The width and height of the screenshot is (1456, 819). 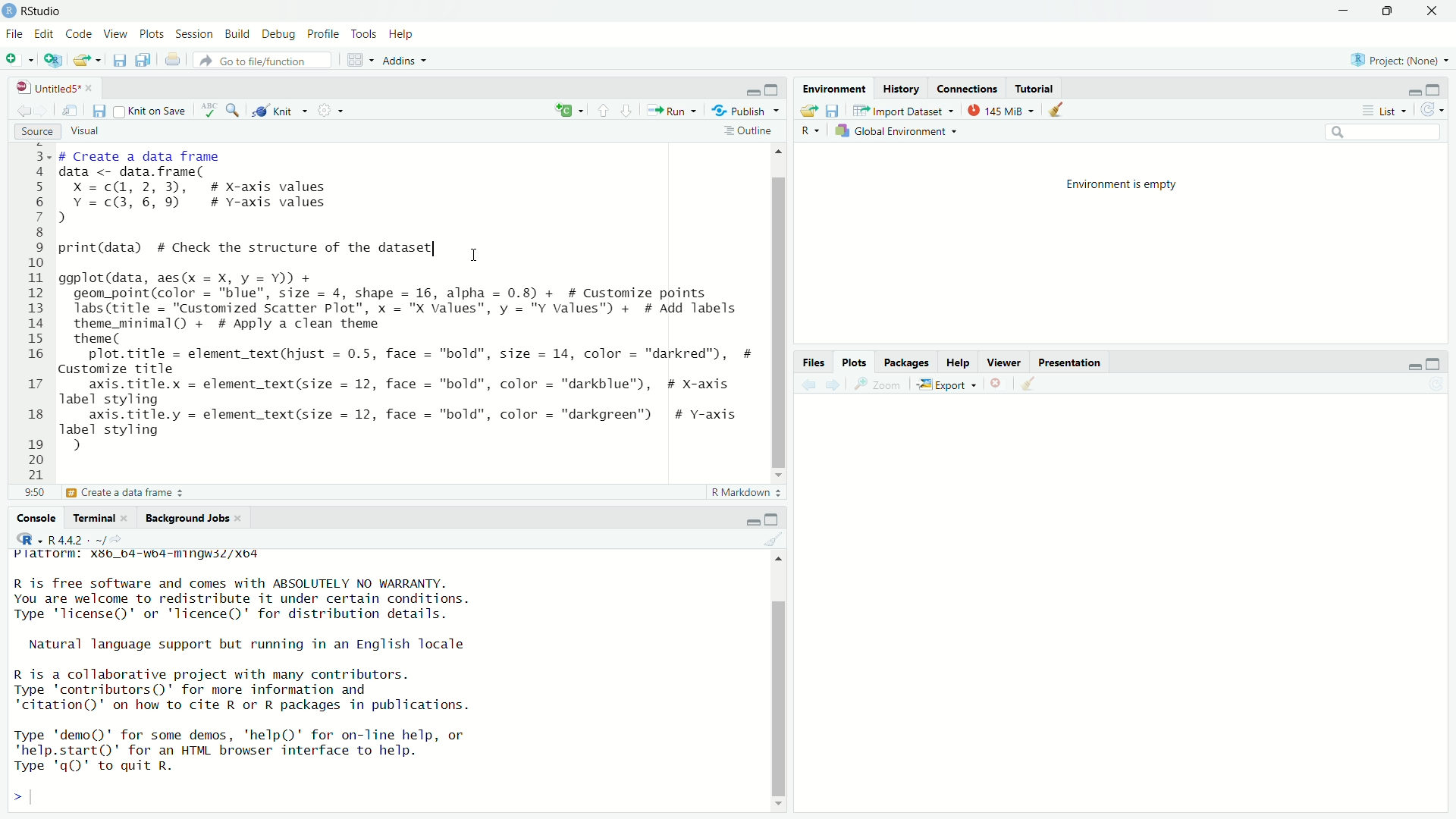 What do you see at coordinates (36, 133) in the screenshot?
I see `Source` at bounding box center [36, 133].